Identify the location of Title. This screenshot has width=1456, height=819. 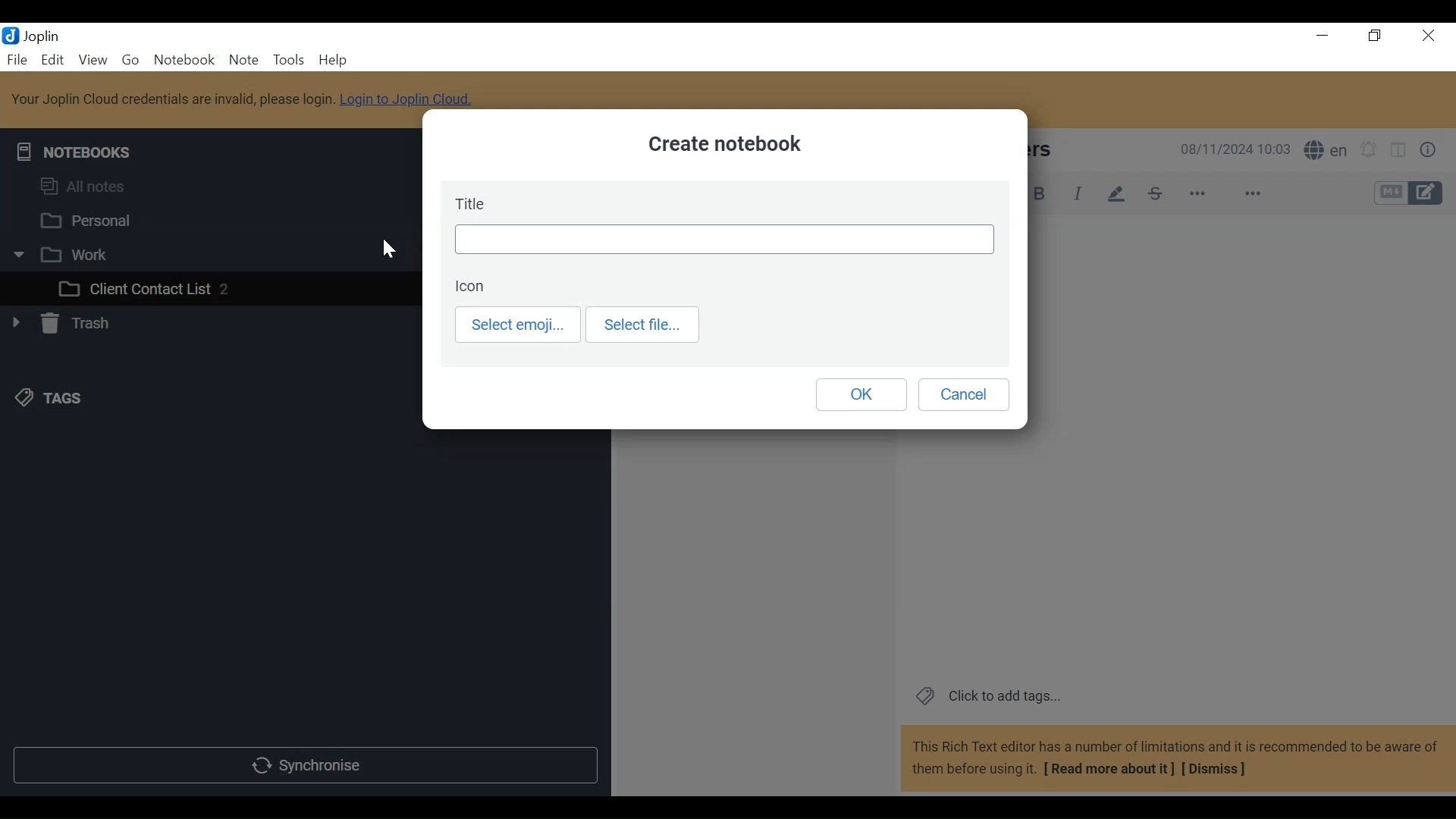
(472, 201).